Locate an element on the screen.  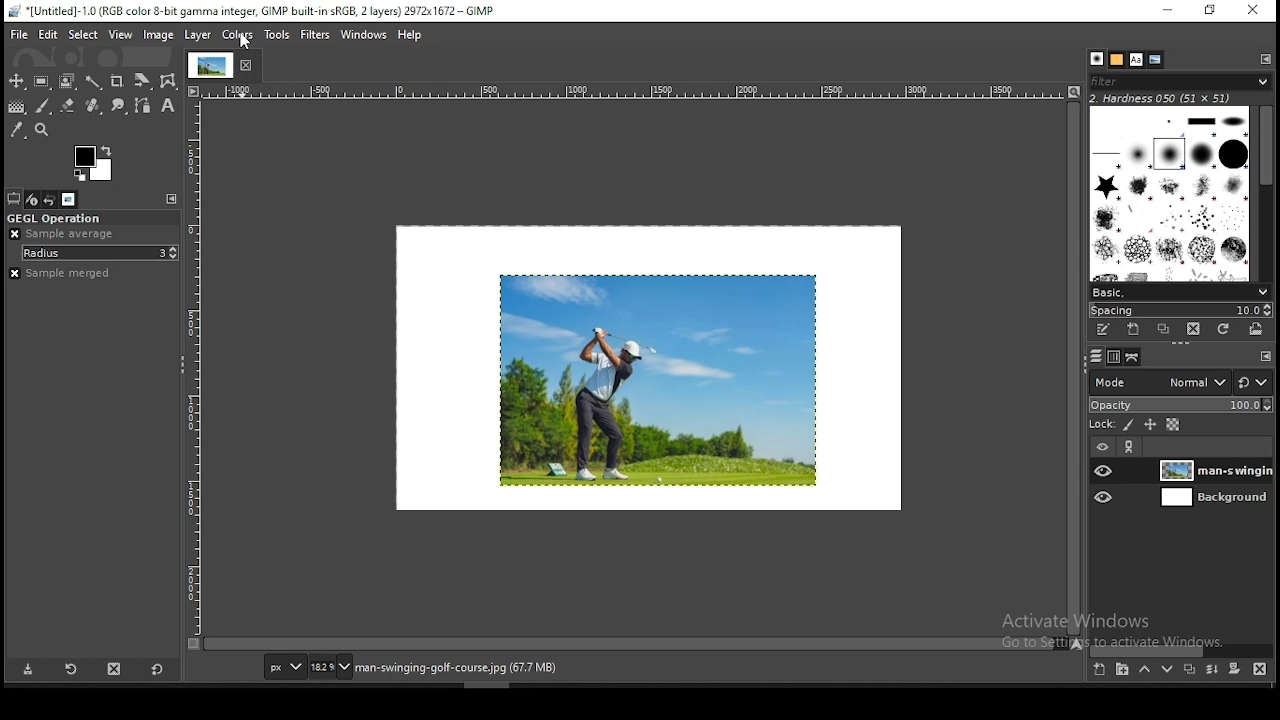
horizontal scale is located at coordinates (633, 93).